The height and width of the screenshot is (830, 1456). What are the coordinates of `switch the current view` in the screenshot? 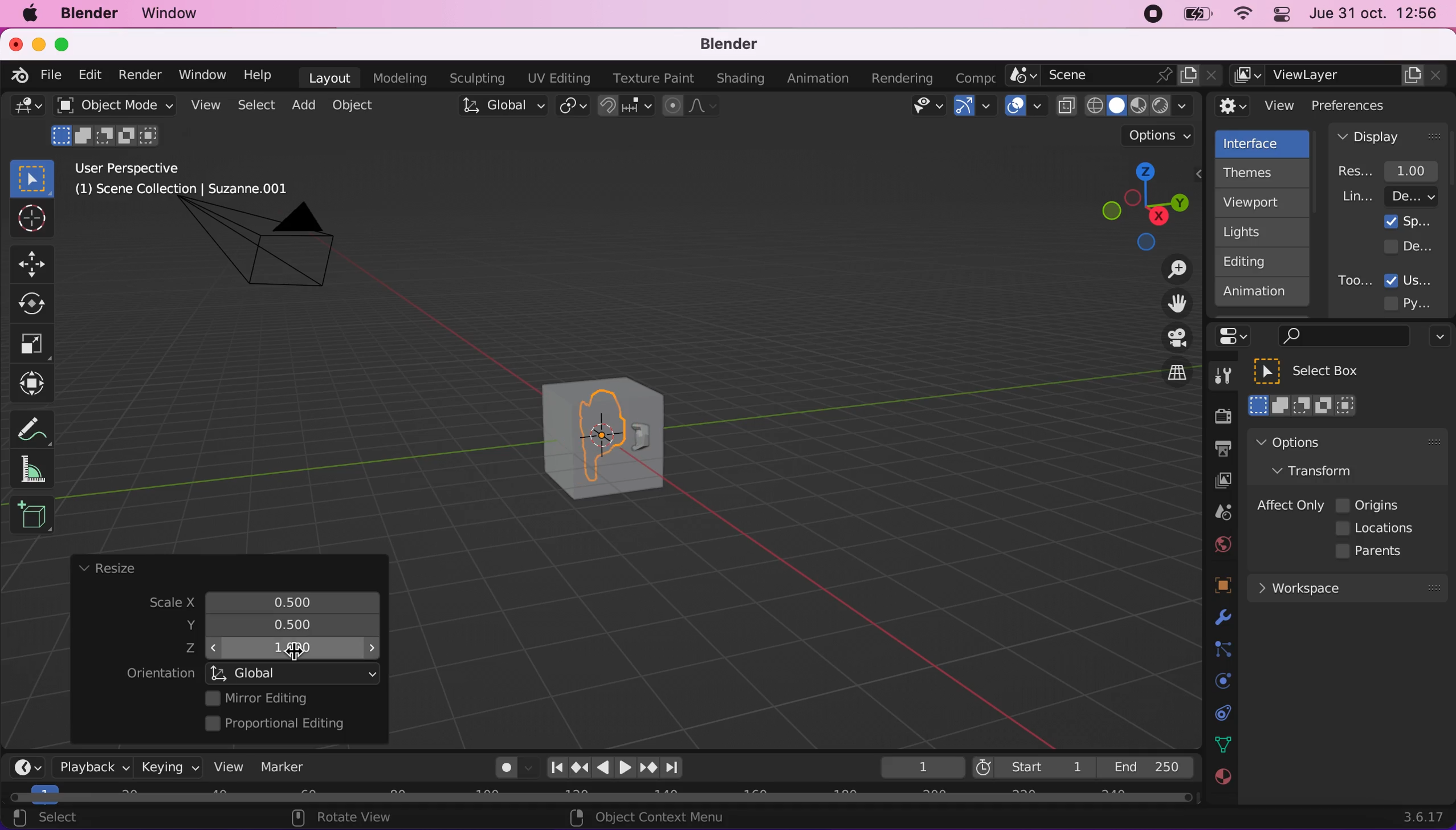 It's located at (1165, 383).